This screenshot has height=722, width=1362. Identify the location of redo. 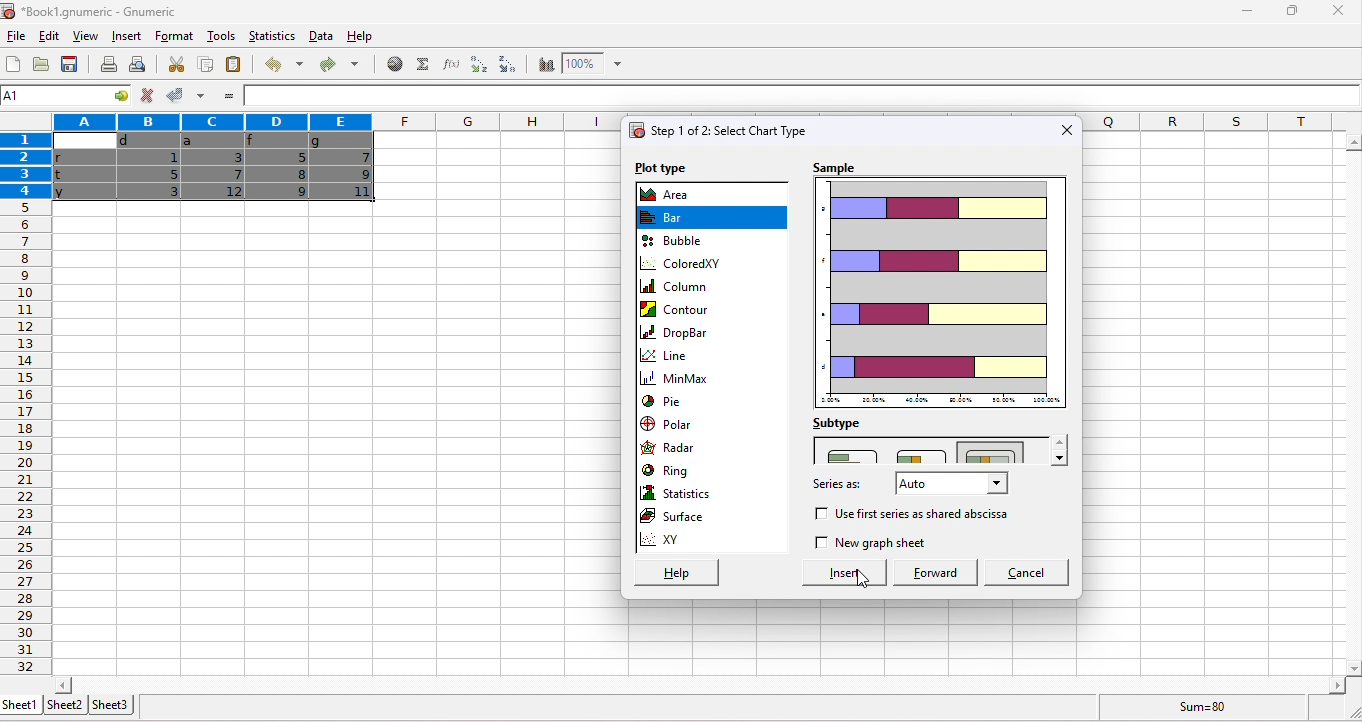
(339, 63).